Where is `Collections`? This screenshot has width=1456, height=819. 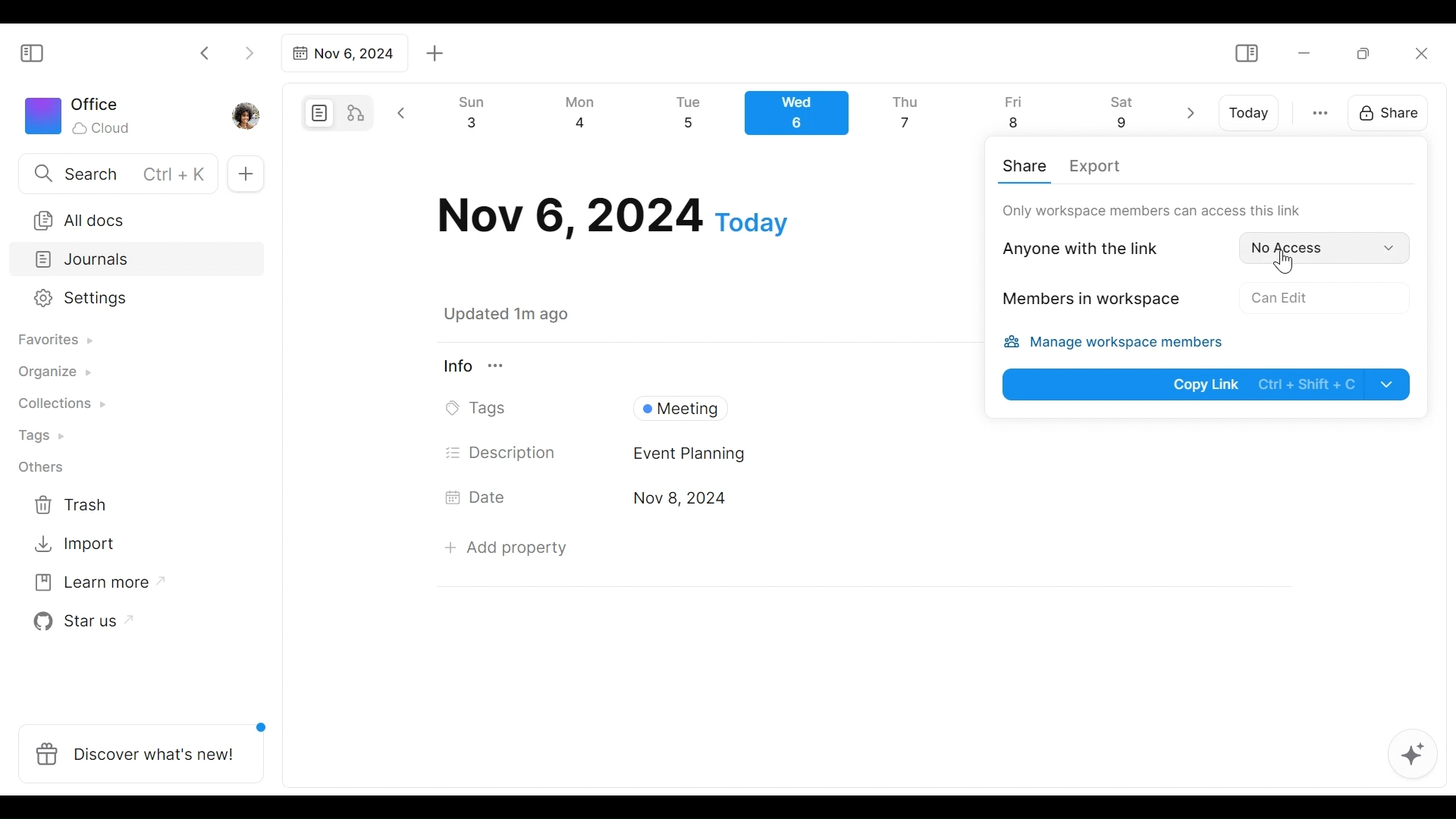
Collections is located at coordinates (60, 406).